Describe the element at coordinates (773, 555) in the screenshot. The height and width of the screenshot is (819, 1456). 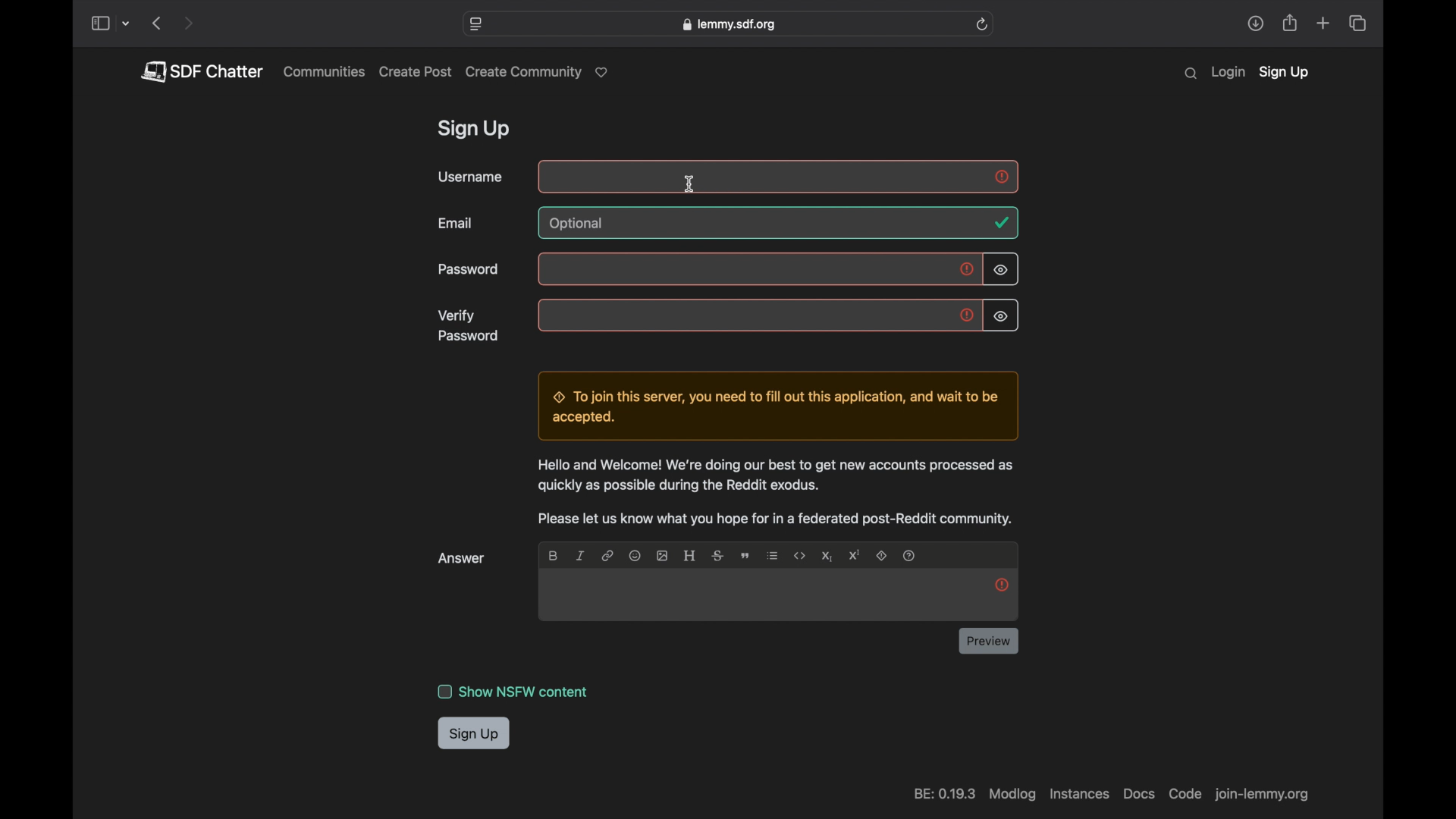
I see `list` at that location.